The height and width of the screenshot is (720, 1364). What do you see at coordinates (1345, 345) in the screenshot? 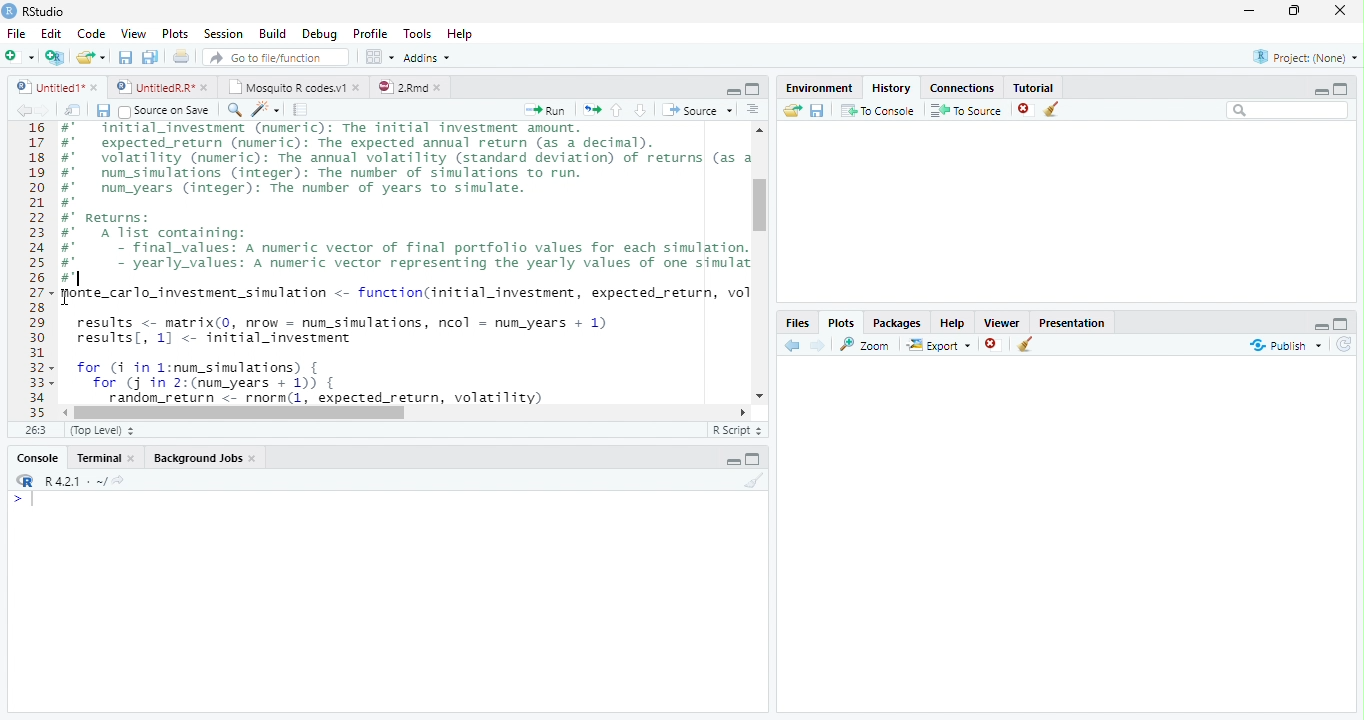
I see `Refresh List` at bounding box center [1345, 345].